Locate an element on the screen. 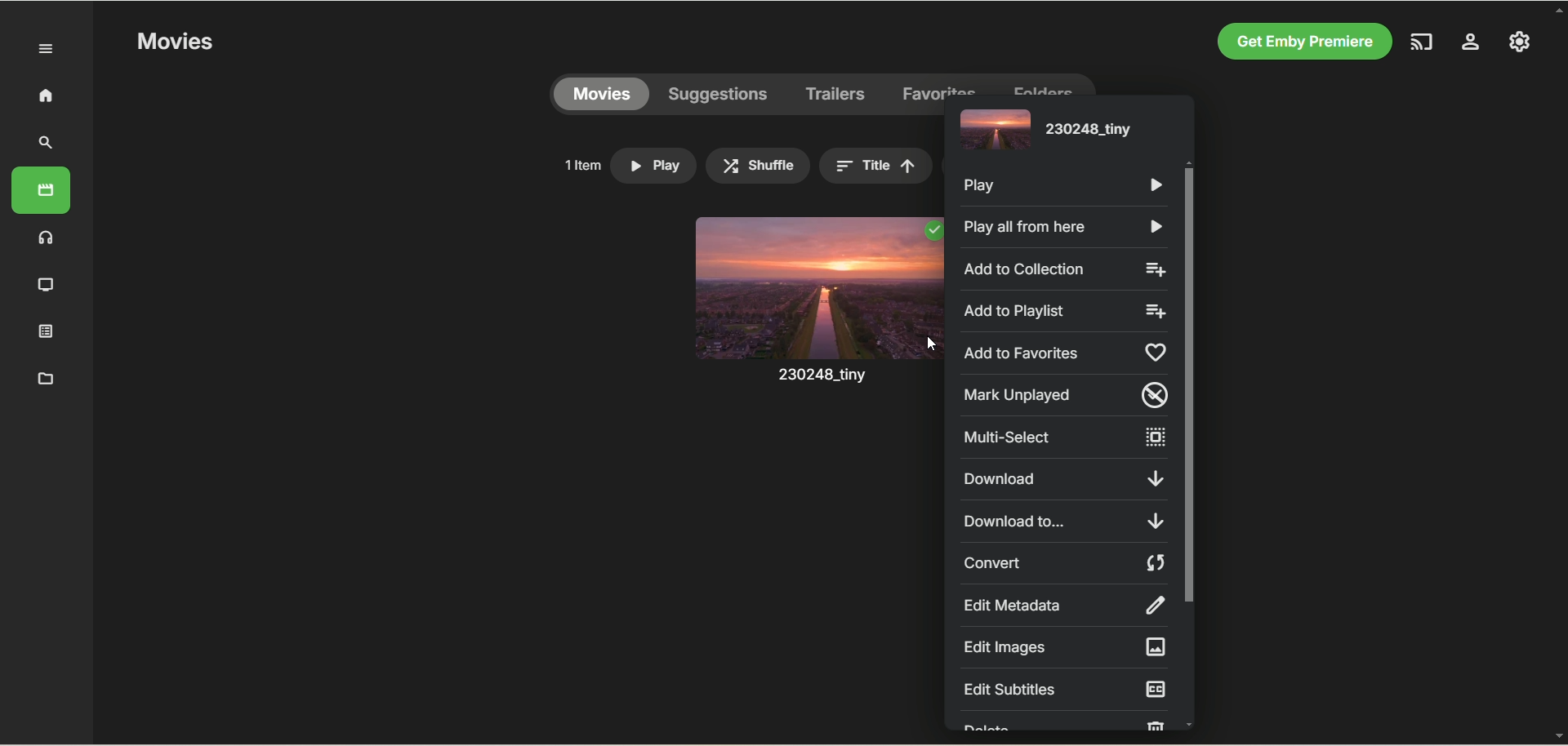  server is located at coordinates (1471, 44).